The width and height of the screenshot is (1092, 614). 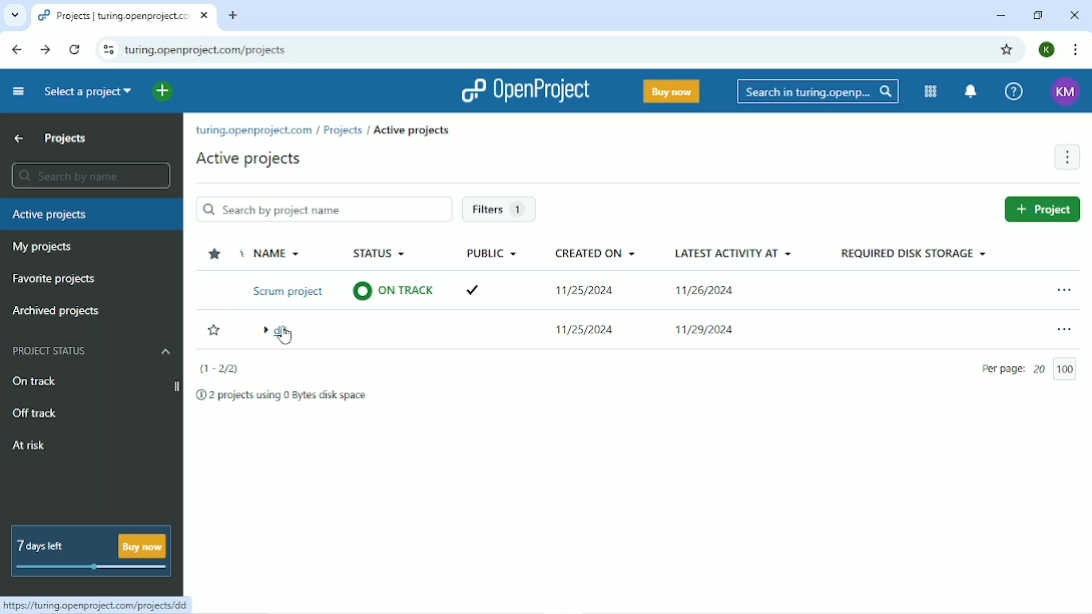 What do you see at coordinates (35, 381) in the screenshot?
I see `On track` at bounding box center [35, 381].